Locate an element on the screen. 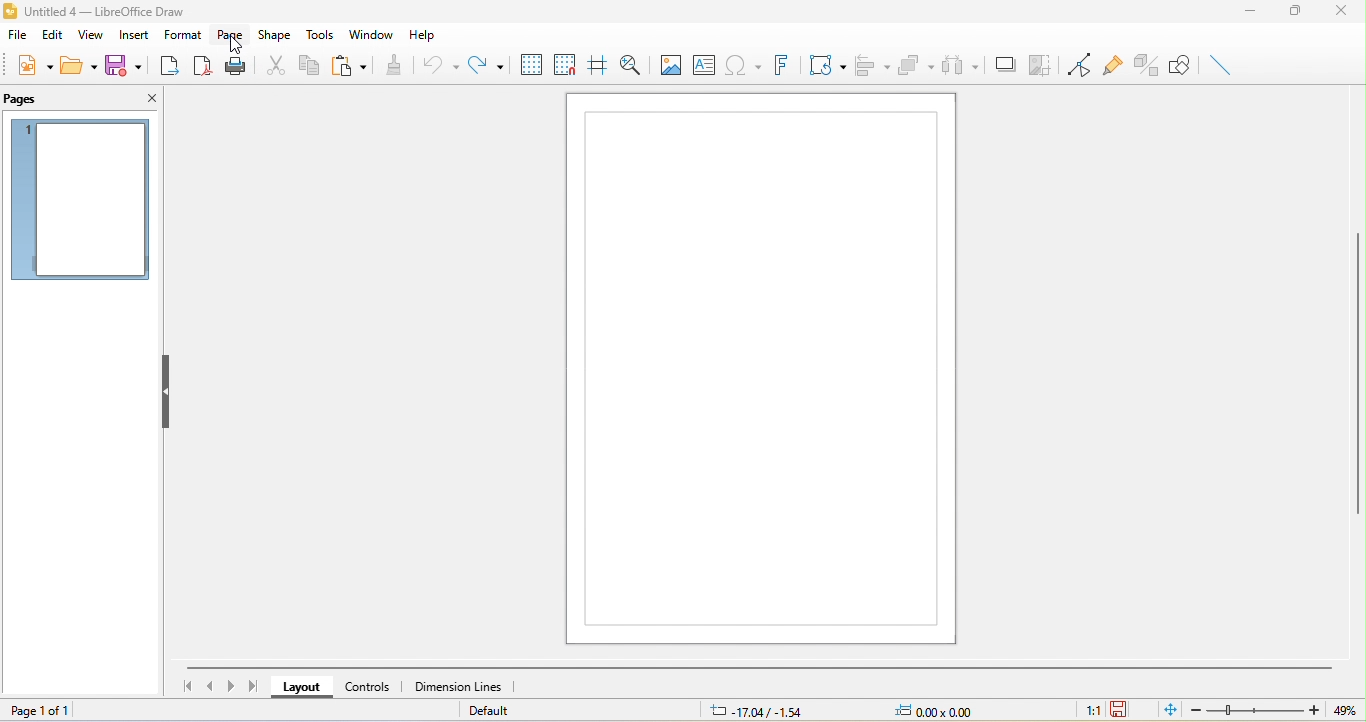 This screenshot has height=722, width=1366. copy image is located at coordinates (1040, 63).